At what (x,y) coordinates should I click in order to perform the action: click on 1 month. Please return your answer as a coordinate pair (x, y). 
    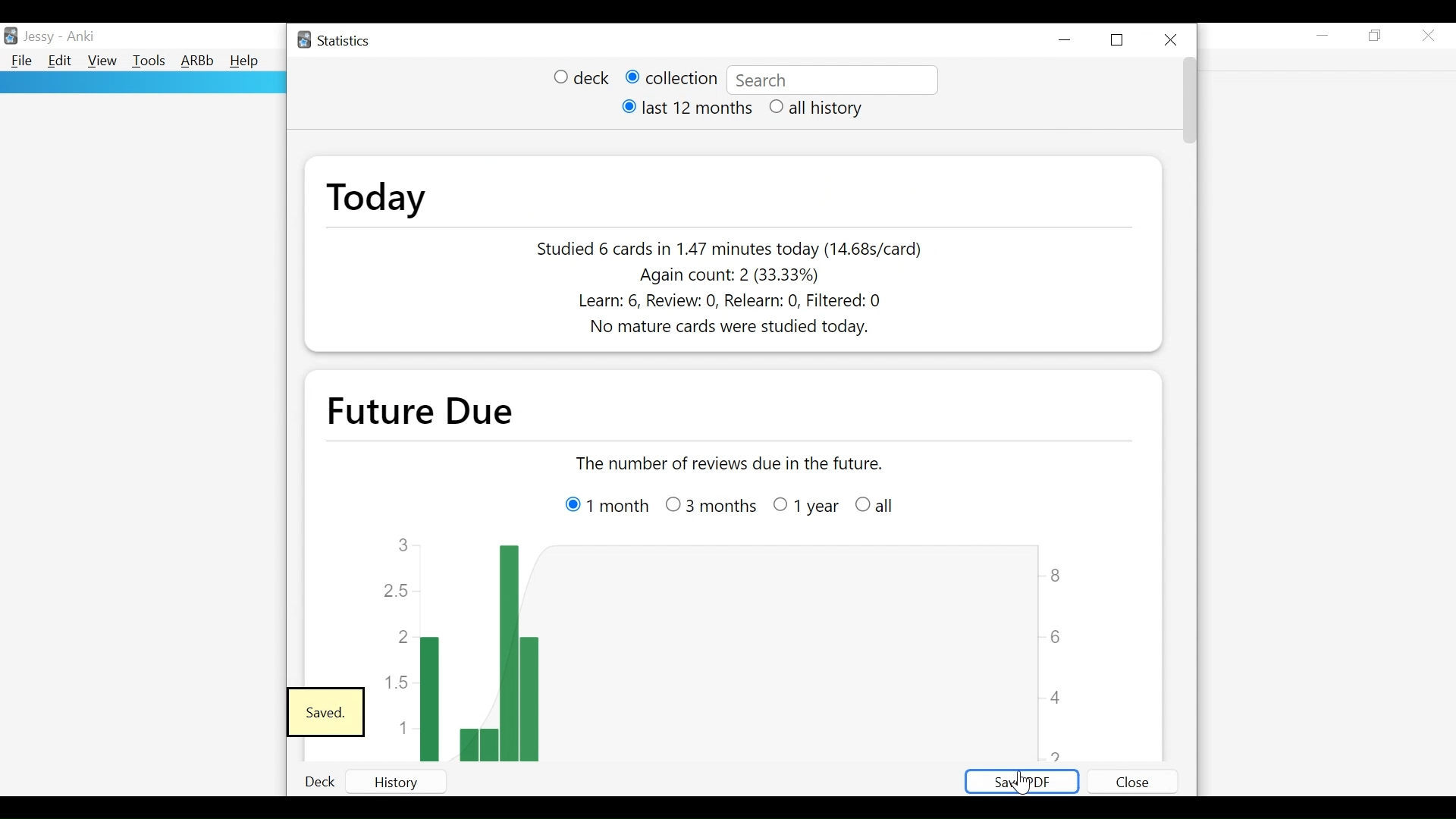
    Looking at the image, I should click on (601, 500).